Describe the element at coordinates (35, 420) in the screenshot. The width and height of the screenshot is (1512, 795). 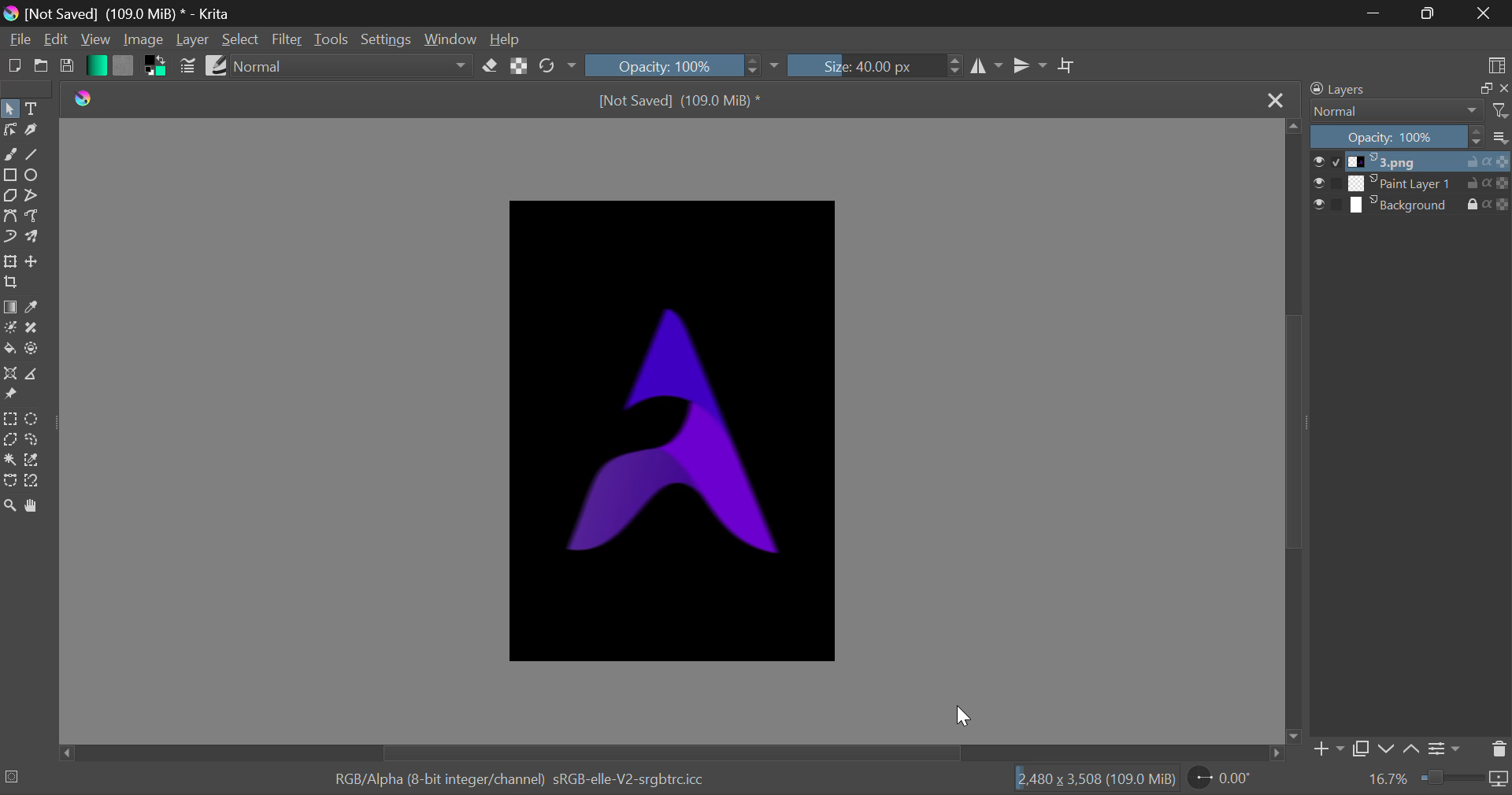
I see `Circular Selection Tool` at that location.